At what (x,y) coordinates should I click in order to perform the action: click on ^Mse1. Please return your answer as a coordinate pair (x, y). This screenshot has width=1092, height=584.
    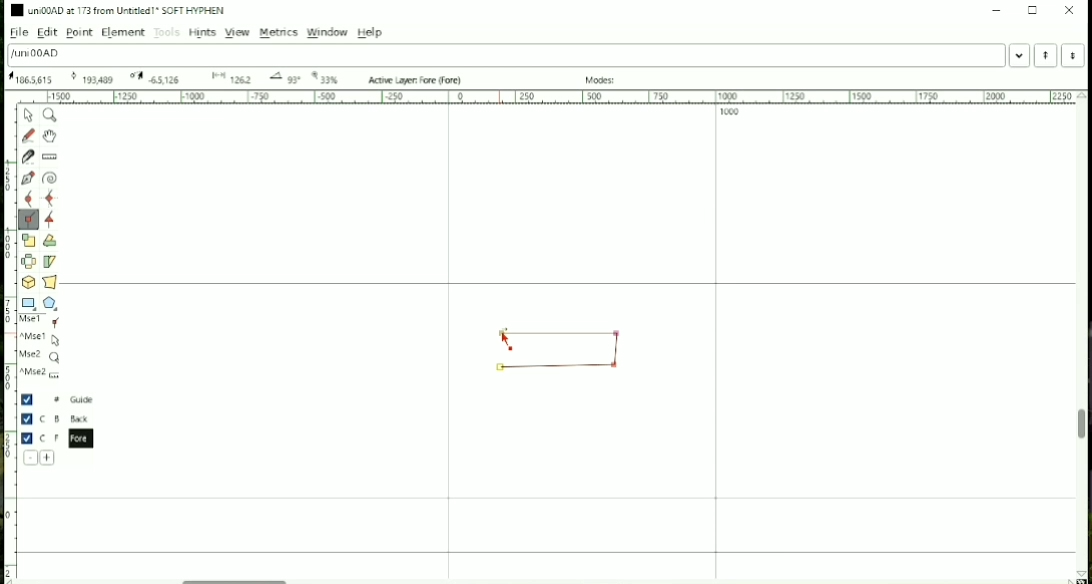
    Looking at the image, I should click on (42, 339).